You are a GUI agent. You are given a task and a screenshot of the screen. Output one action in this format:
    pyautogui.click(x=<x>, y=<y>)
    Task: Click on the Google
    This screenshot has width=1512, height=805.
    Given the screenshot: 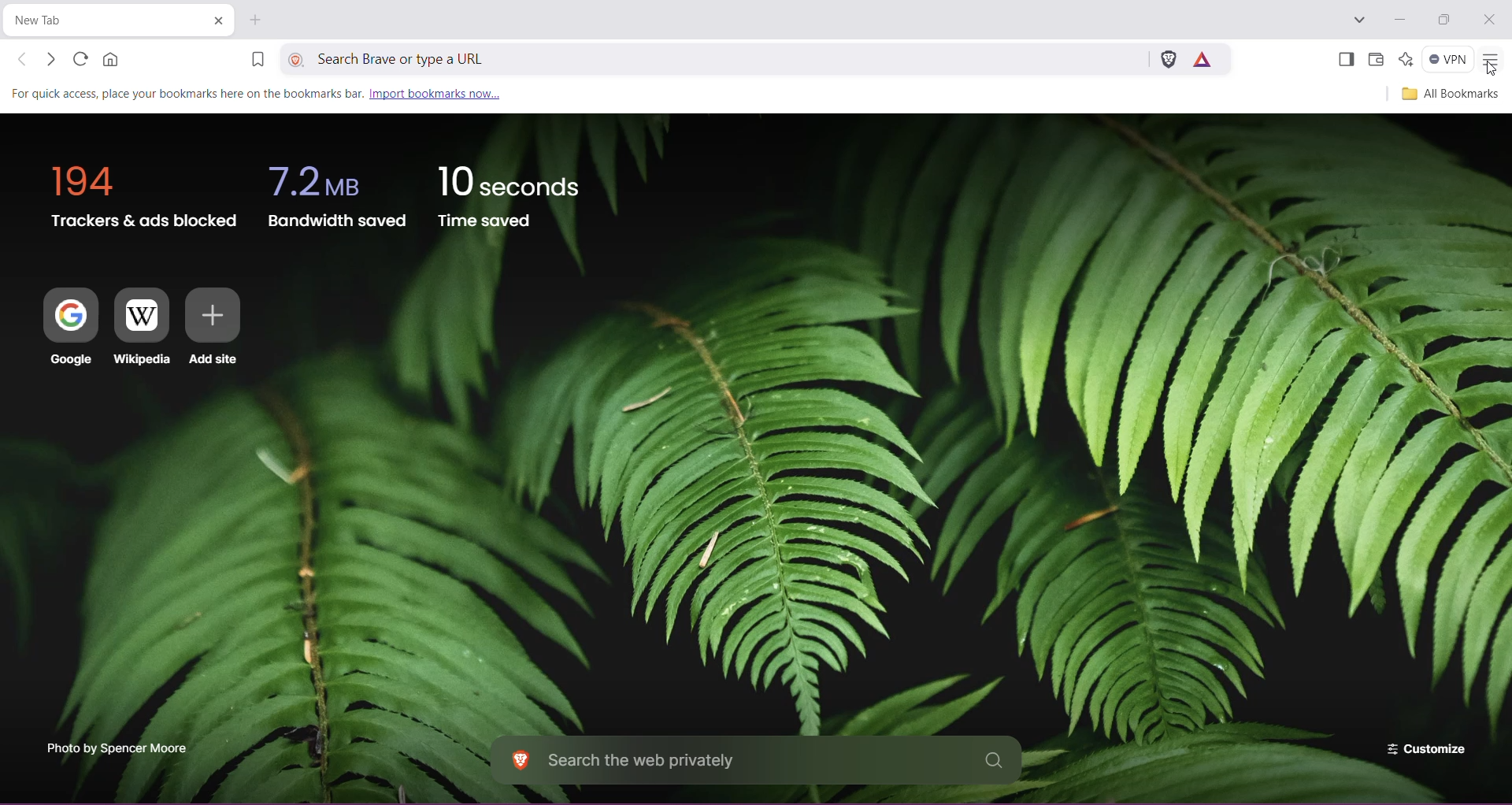 What is the action you would take?
    pyautogui.click(x=63, y=328)
    